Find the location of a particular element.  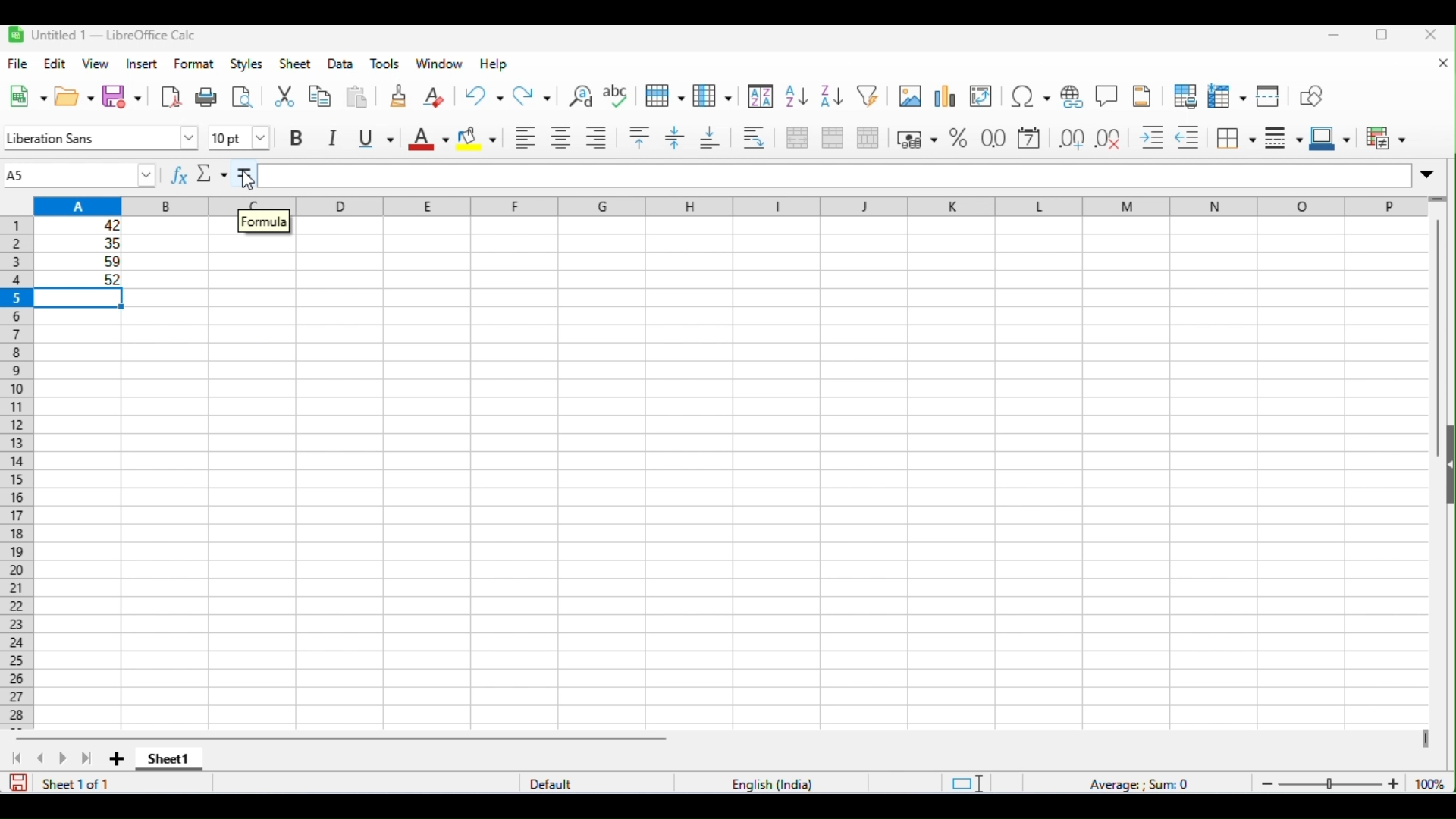

data is located at coordinates (341, 64).